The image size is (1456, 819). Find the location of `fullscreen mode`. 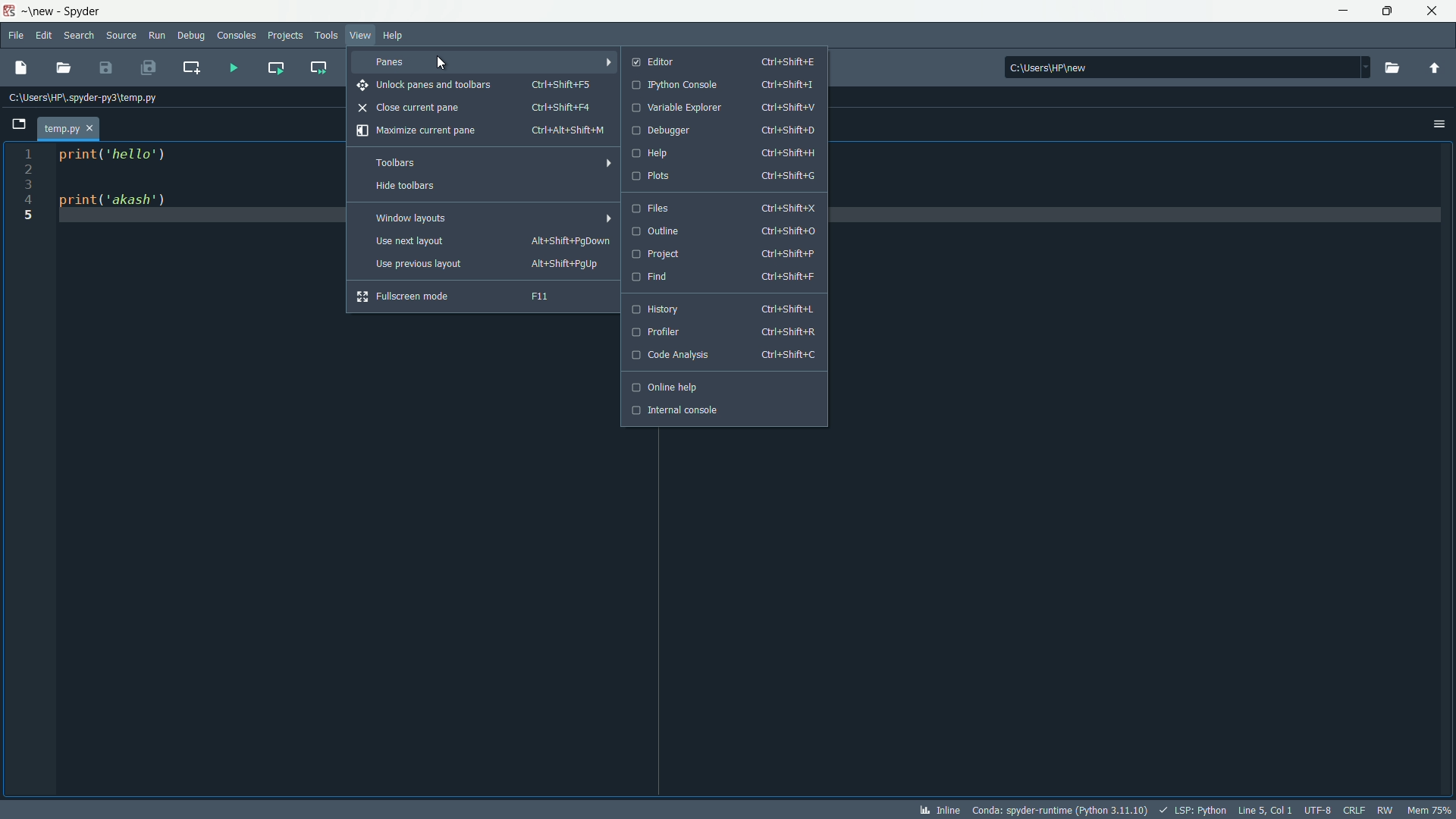

fullscreen mode is located at coordinates (474, 296).